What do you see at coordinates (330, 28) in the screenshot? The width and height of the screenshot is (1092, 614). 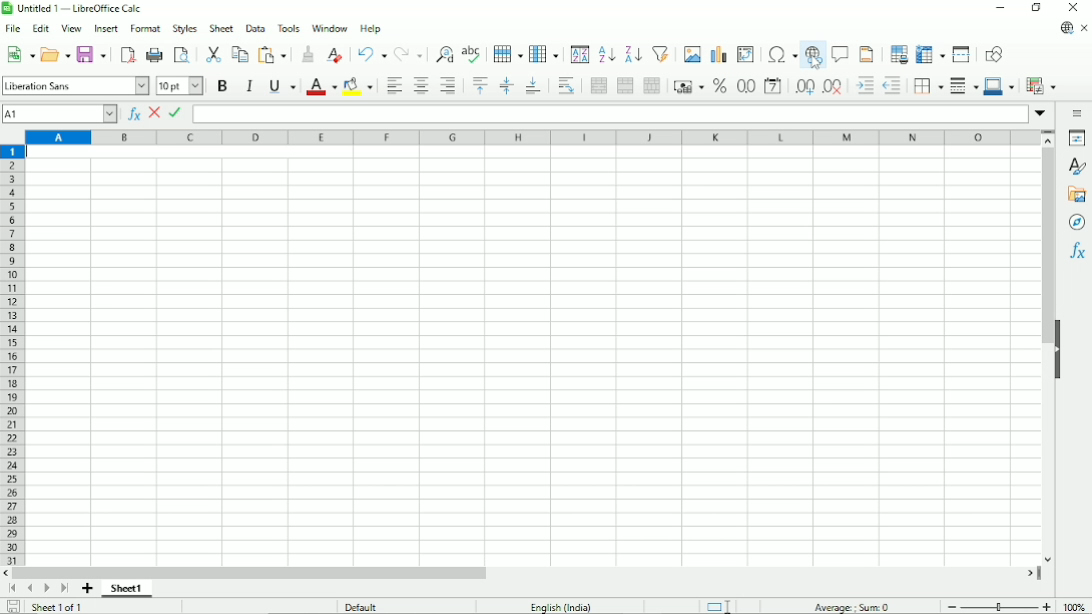 I see `Window` at bounding box center [330, 28].